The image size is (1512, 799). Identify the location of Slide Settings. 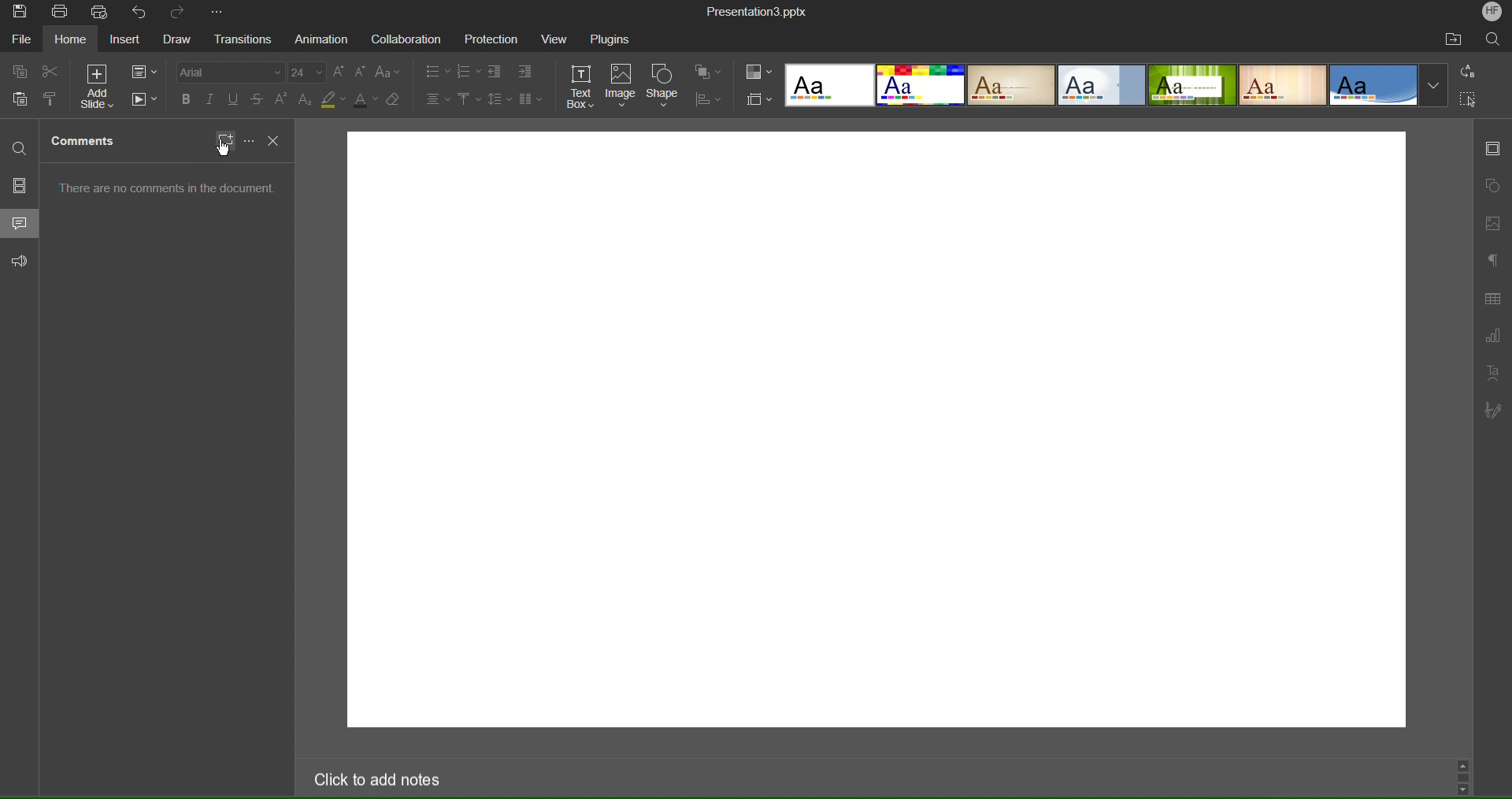
(144, 72).